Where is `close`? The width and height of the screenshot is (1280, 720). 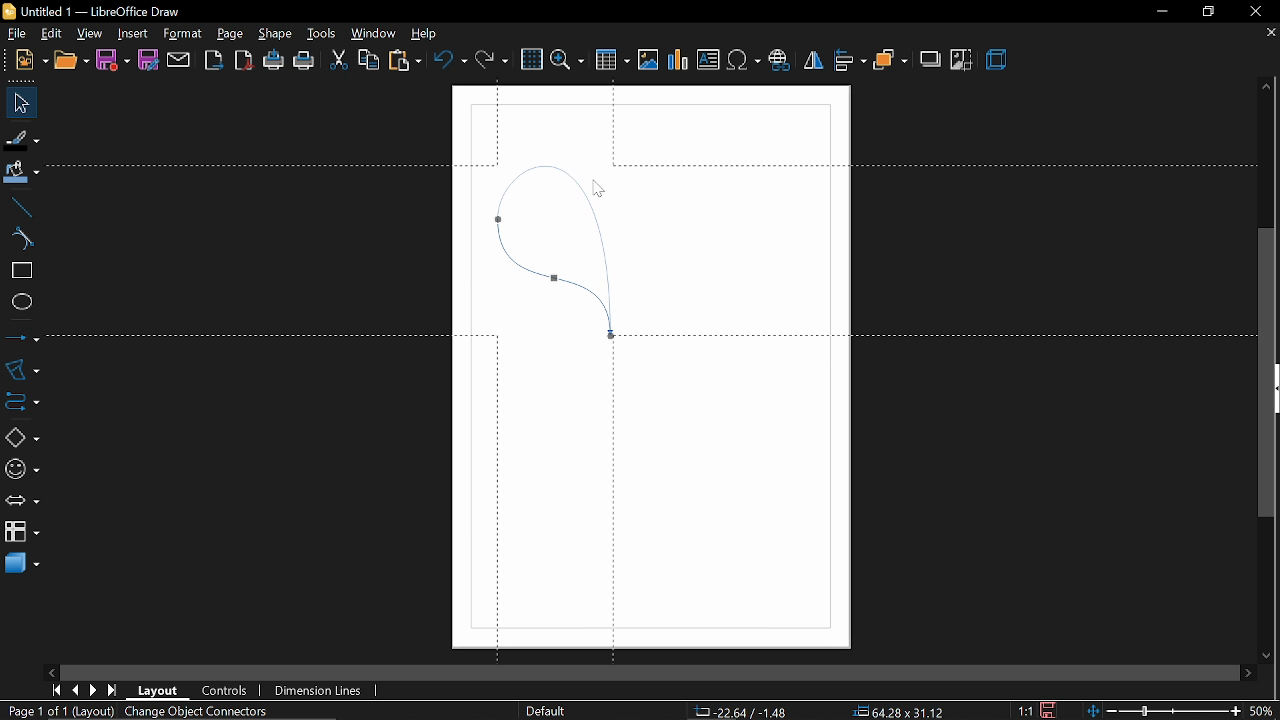
close is located at coordinates (1253, 11).